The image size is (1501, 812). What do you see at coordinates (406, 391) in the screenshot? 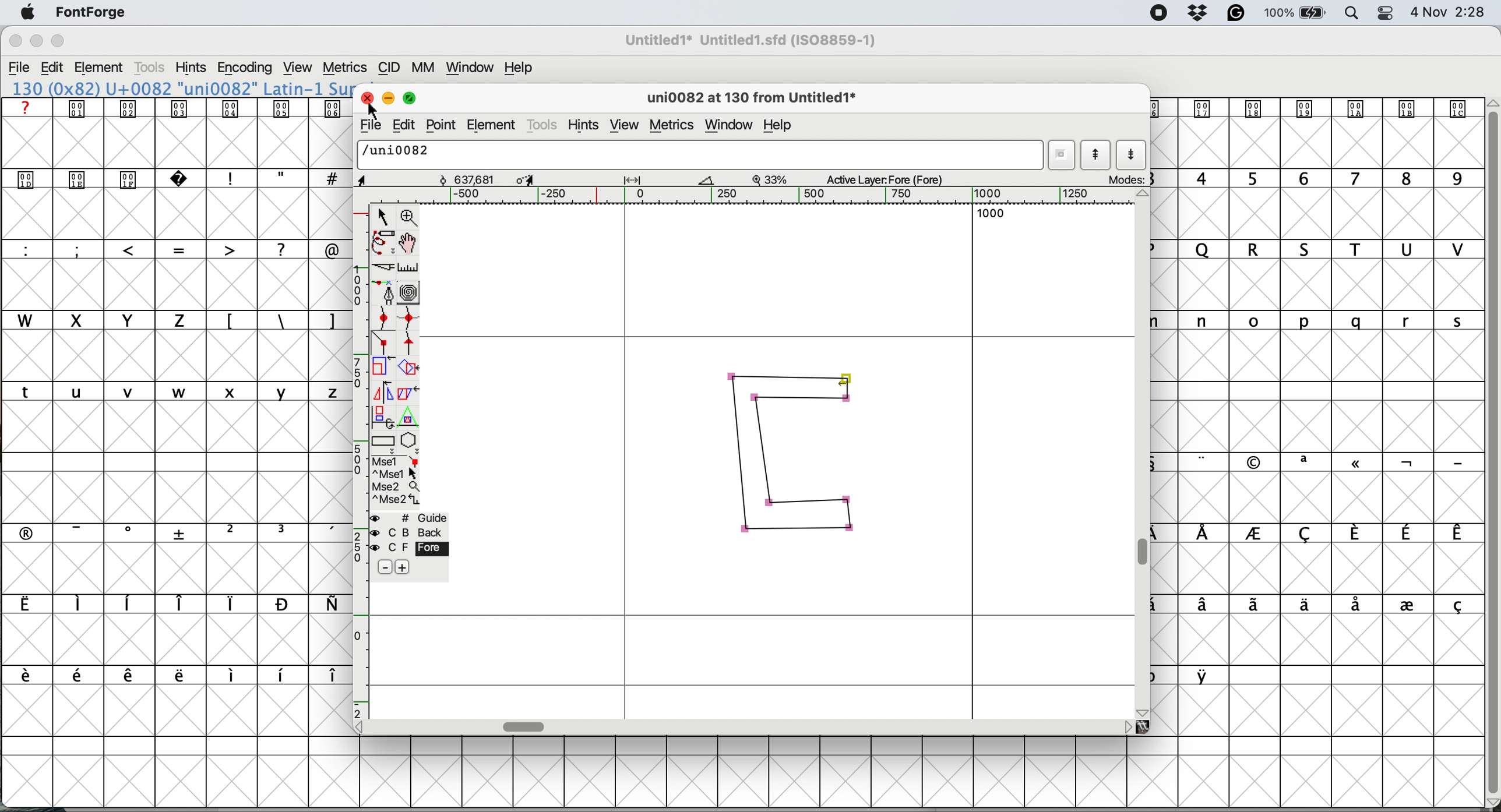
I see `skew the selection` at bounding box center [406, 391].